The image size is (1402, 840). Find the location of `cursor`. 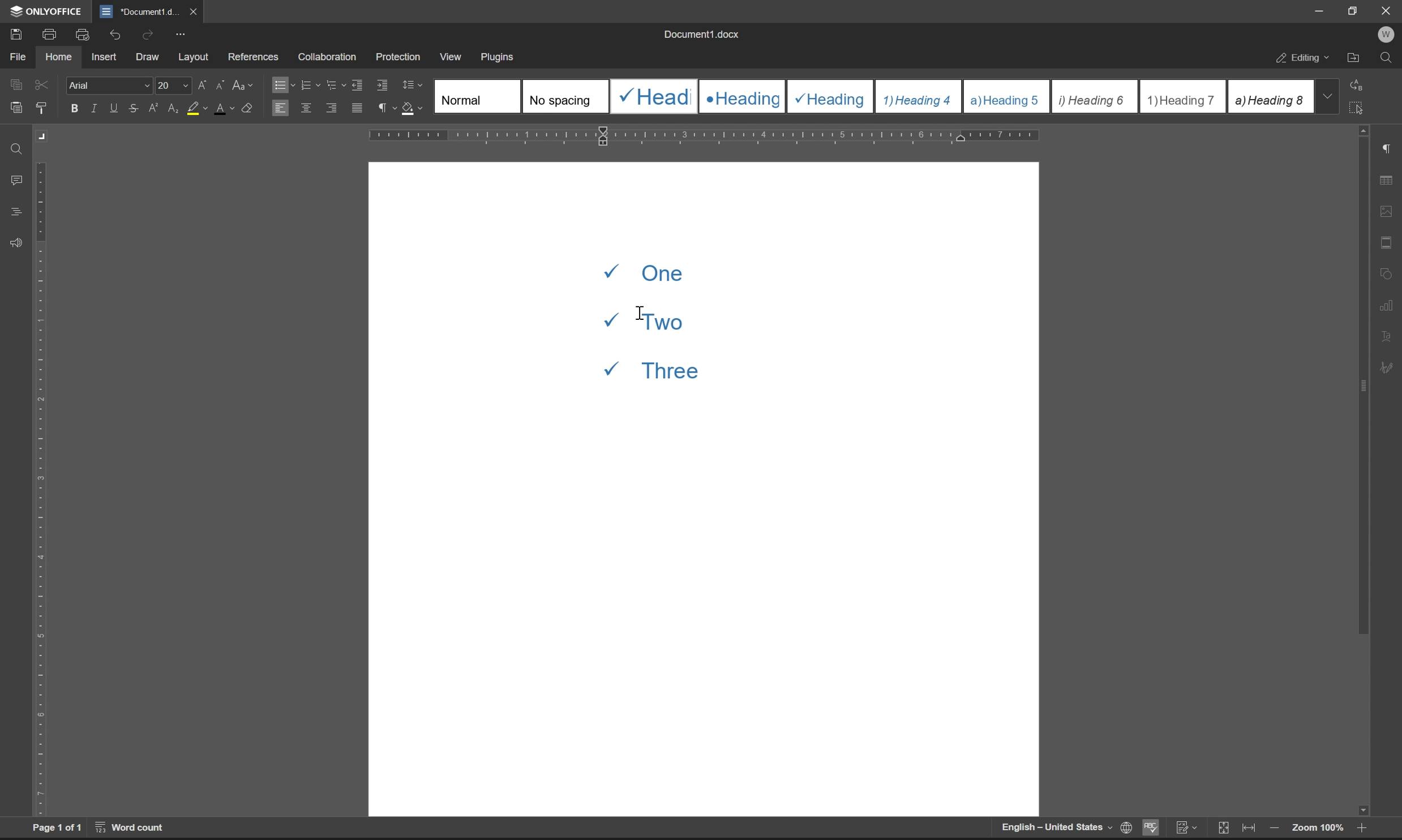

cursor is located at coordinates (639, 312).